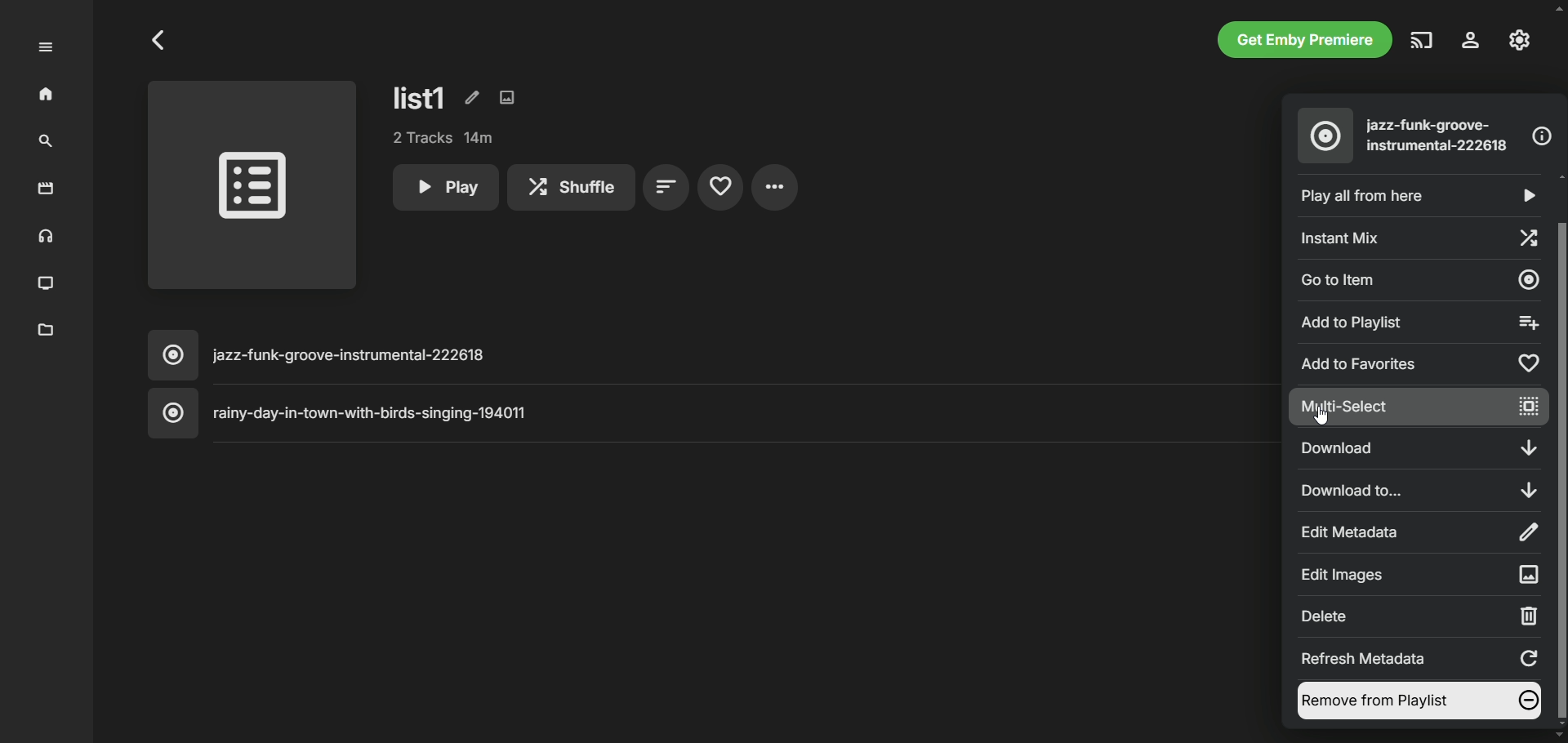 This screenshot has width=1568, height=743. Describe the element at coordinates (1560, 450) in the screenshot. I see `Vertical slide bar` at that location.